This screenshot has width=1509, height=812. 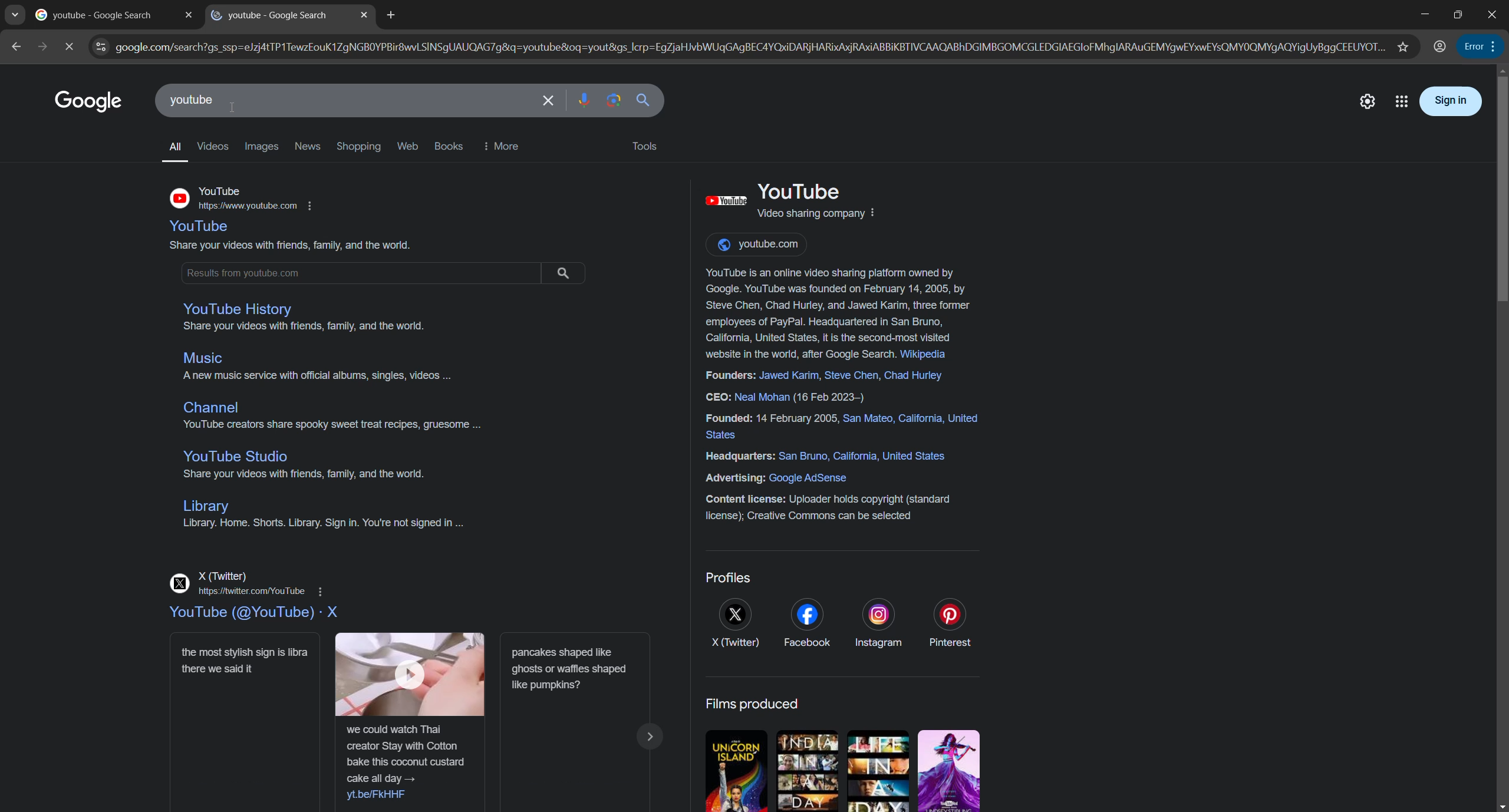 What do you see at coordinates (268, 16) in the screenshot?
I see `youtube google search` at bounding box center [268, 16].